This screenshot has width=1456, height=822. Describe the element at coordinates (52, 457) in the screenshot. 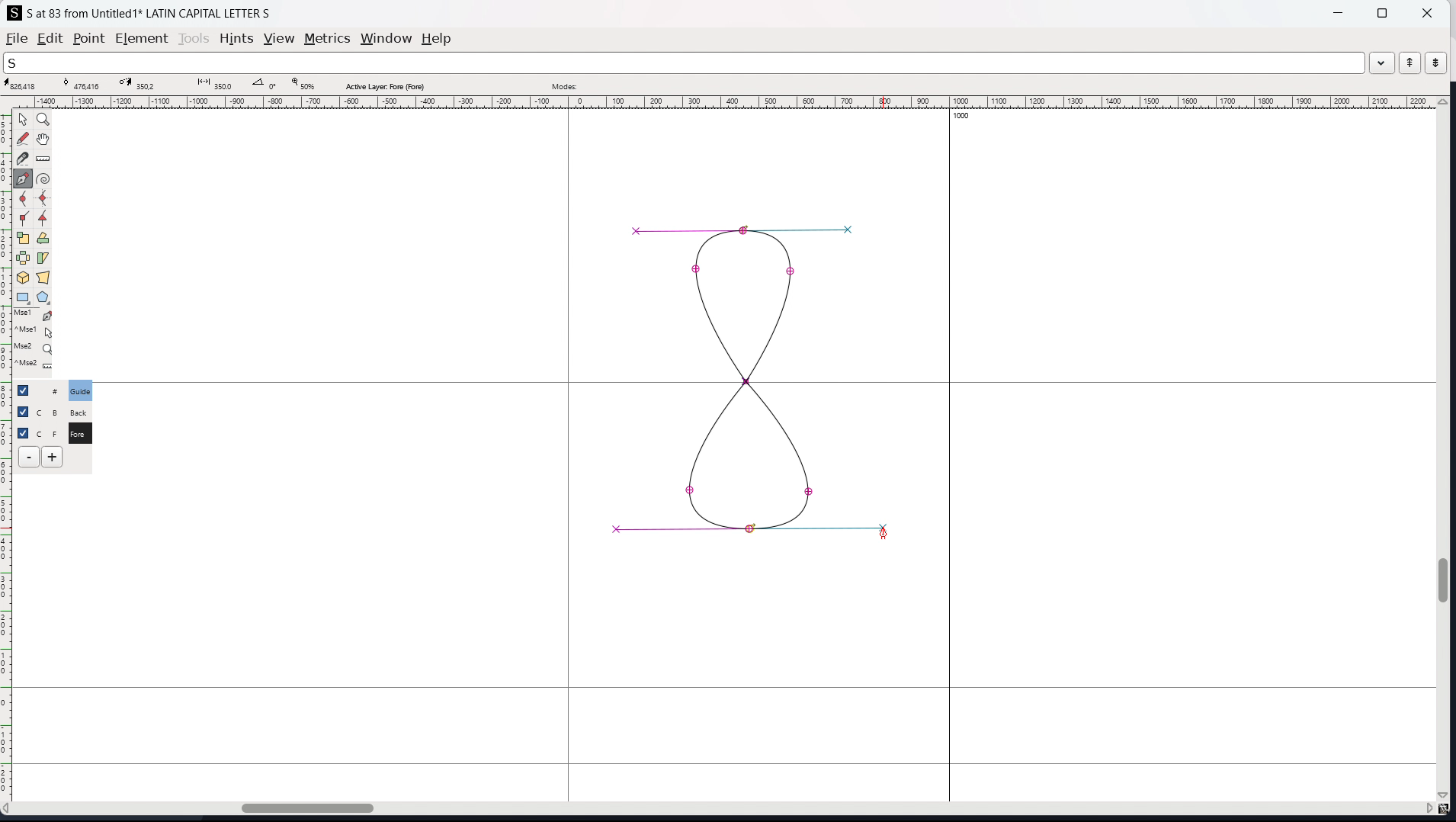

I see `add layers` at that location.